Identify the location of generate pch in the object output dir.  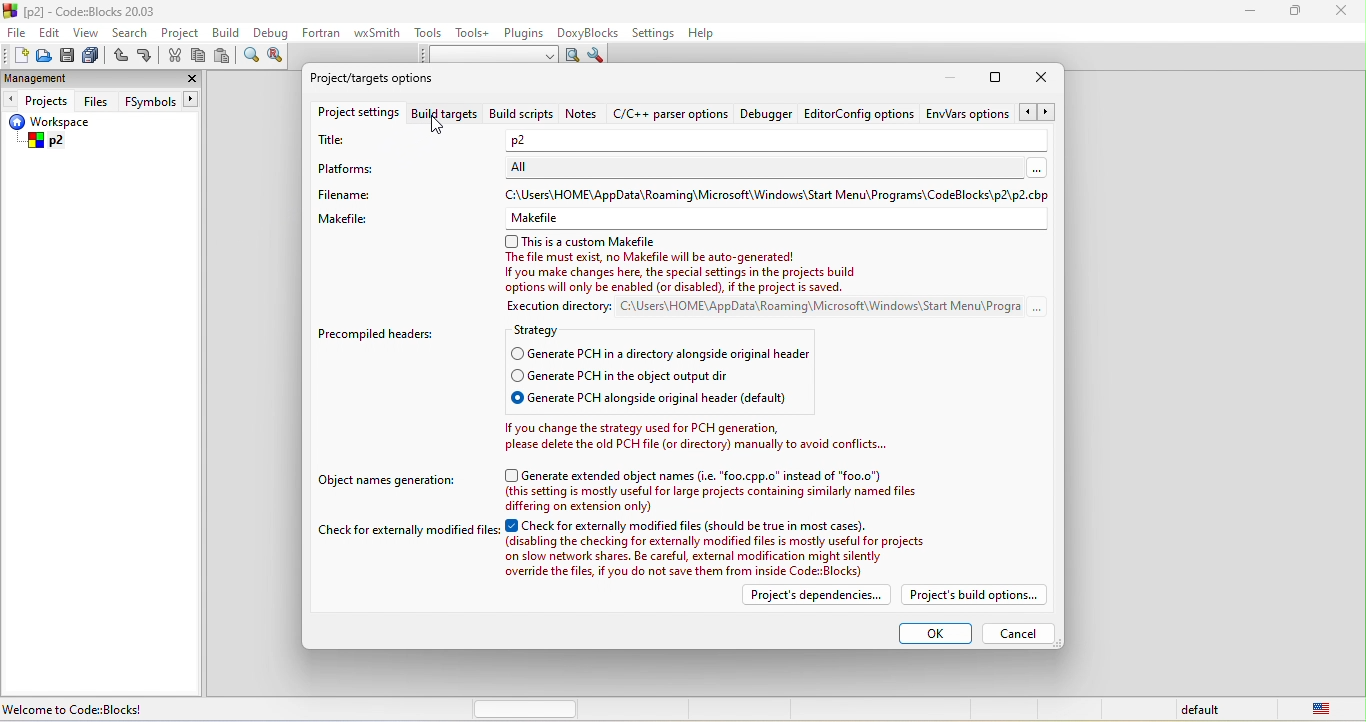
(663, 375).